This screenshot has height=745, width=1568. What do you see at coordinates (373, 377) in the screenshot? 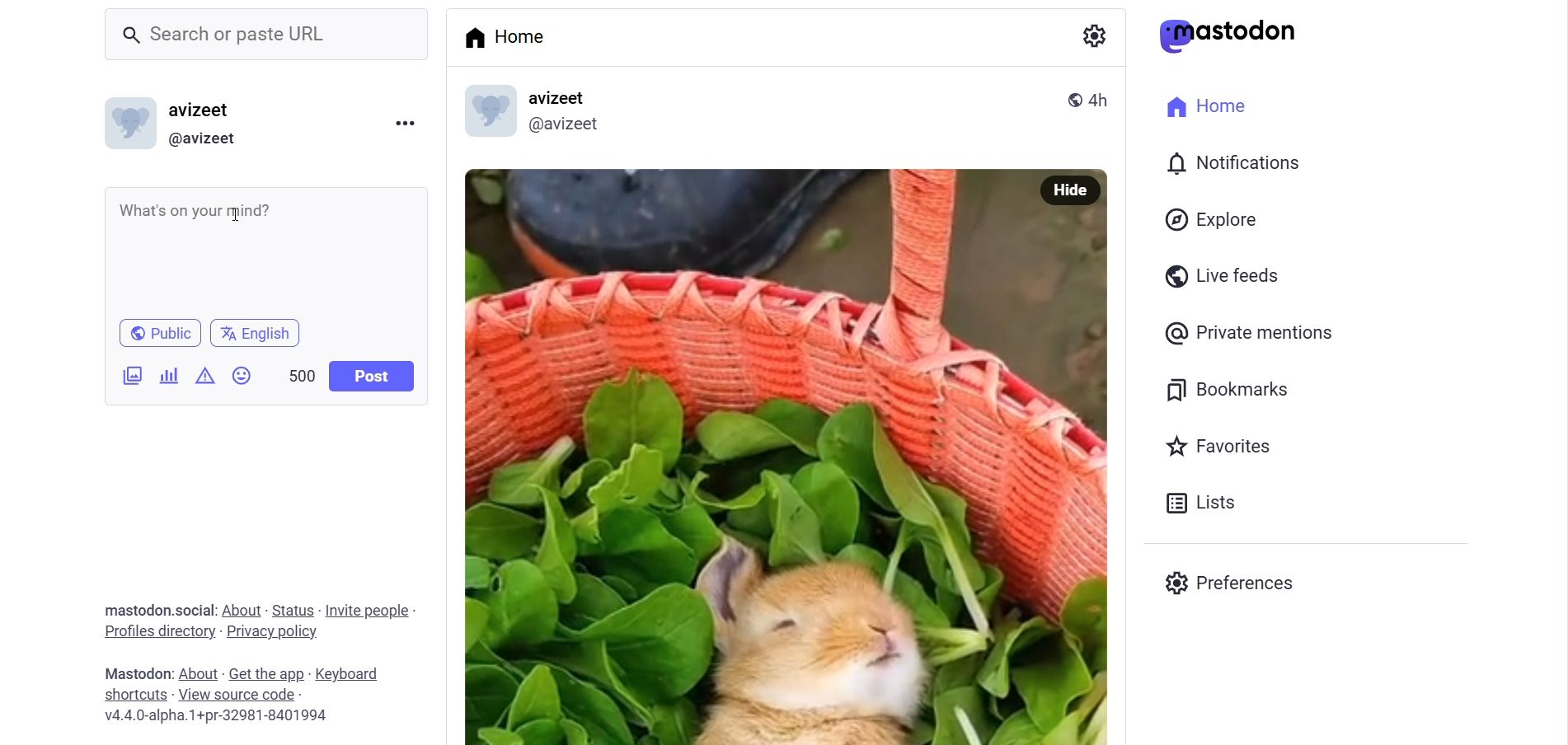
I see `Post` at bounding box center [373, 377].